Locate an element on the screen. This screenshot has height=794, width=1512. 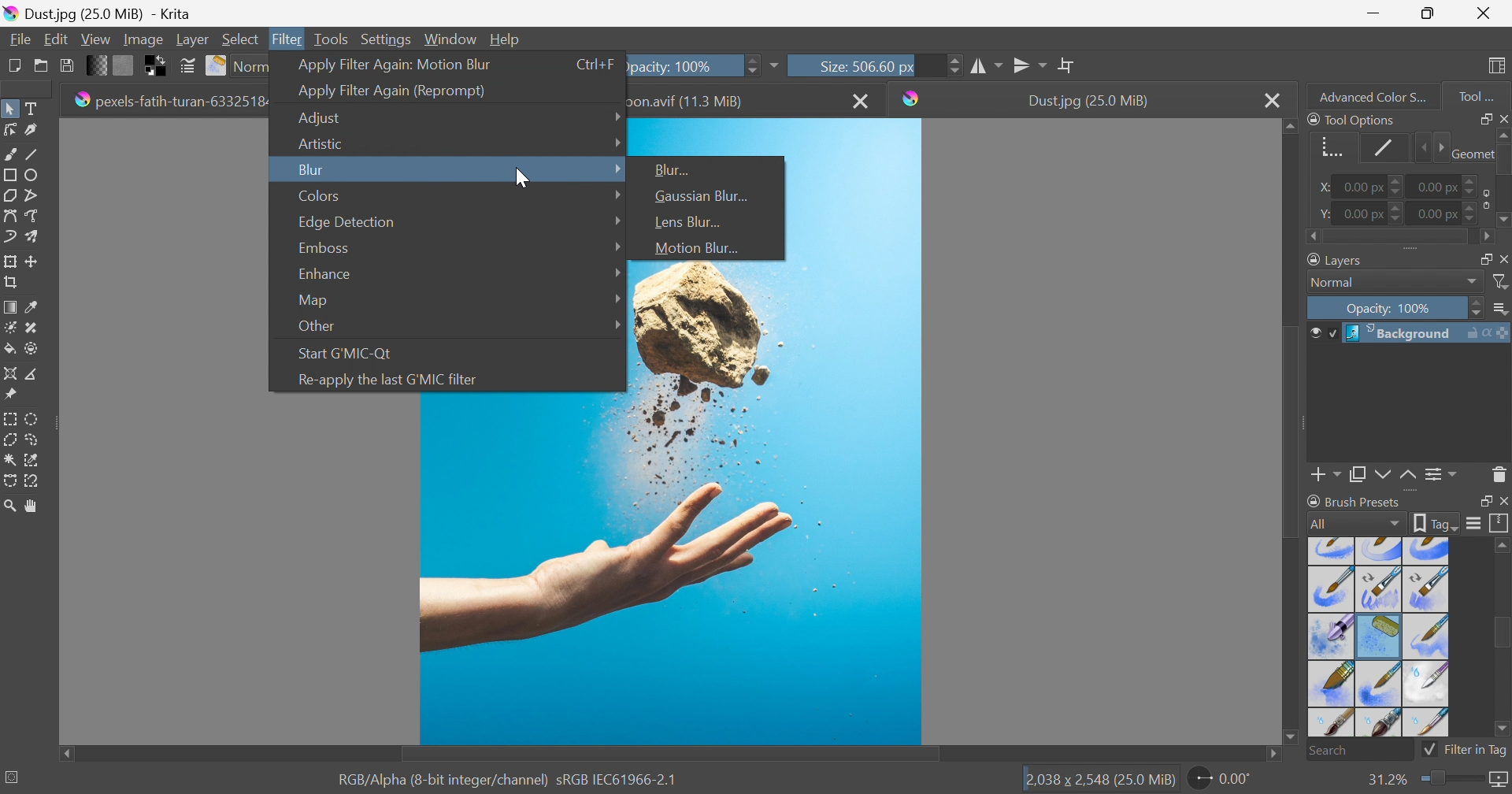
Show the tag box options is located at coordinates (1436, 521).